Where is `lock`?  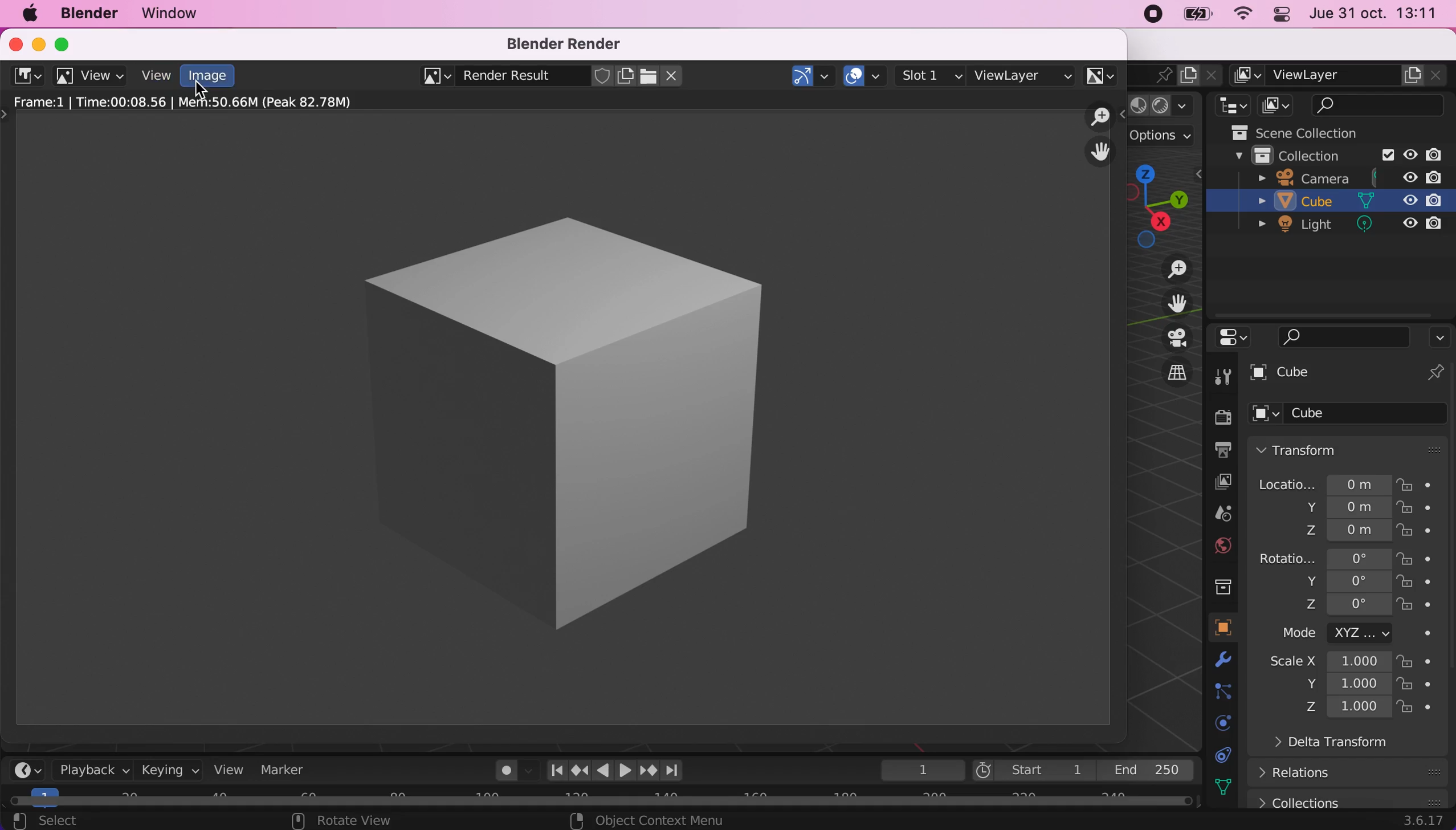 lock is located at coordinates (1417, 710).